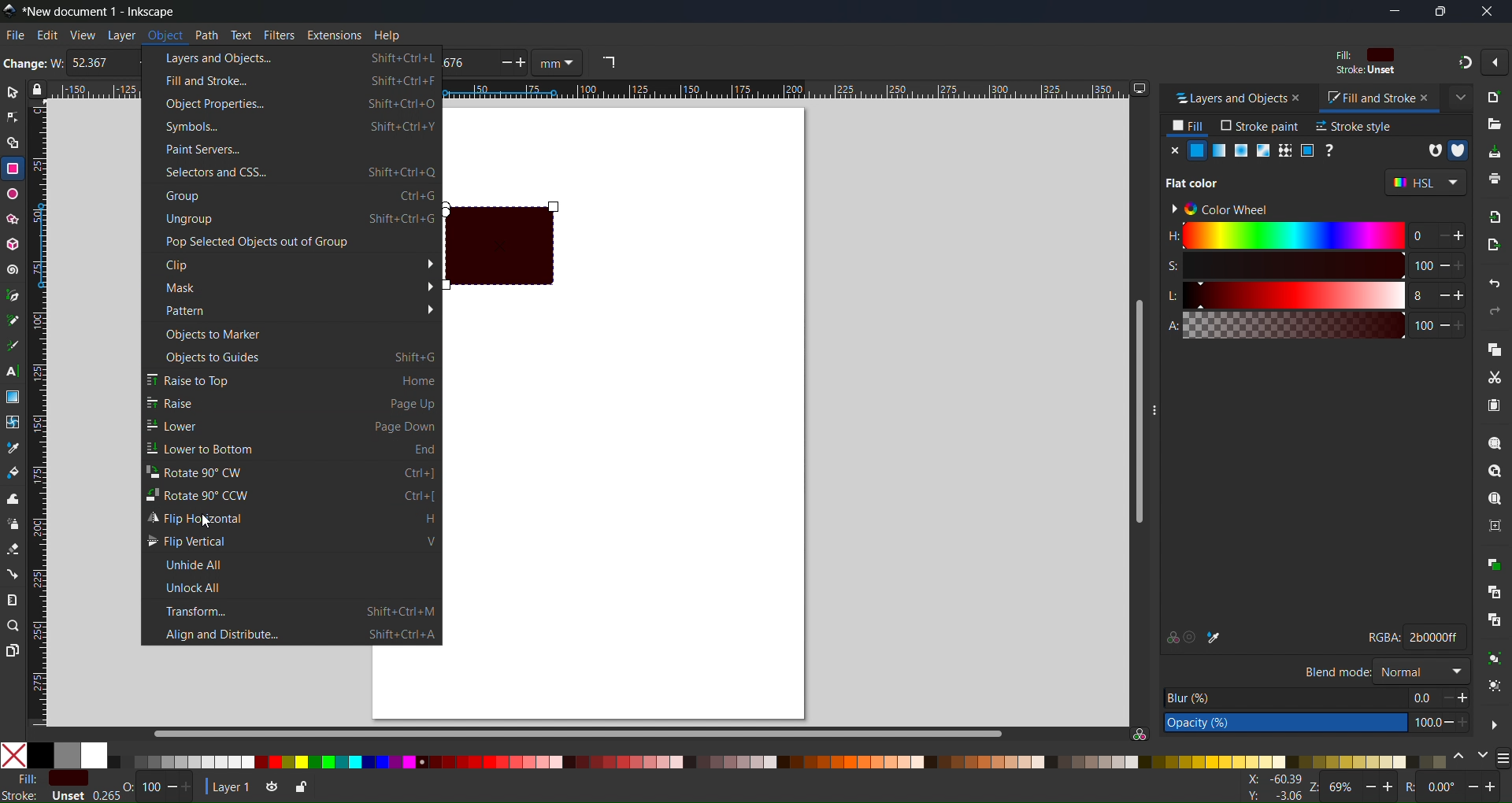 The image size is (1512, 803). Describe the element at coordinates (1285, 723) in the screenshot. I see `edit Opacity level` at that location.